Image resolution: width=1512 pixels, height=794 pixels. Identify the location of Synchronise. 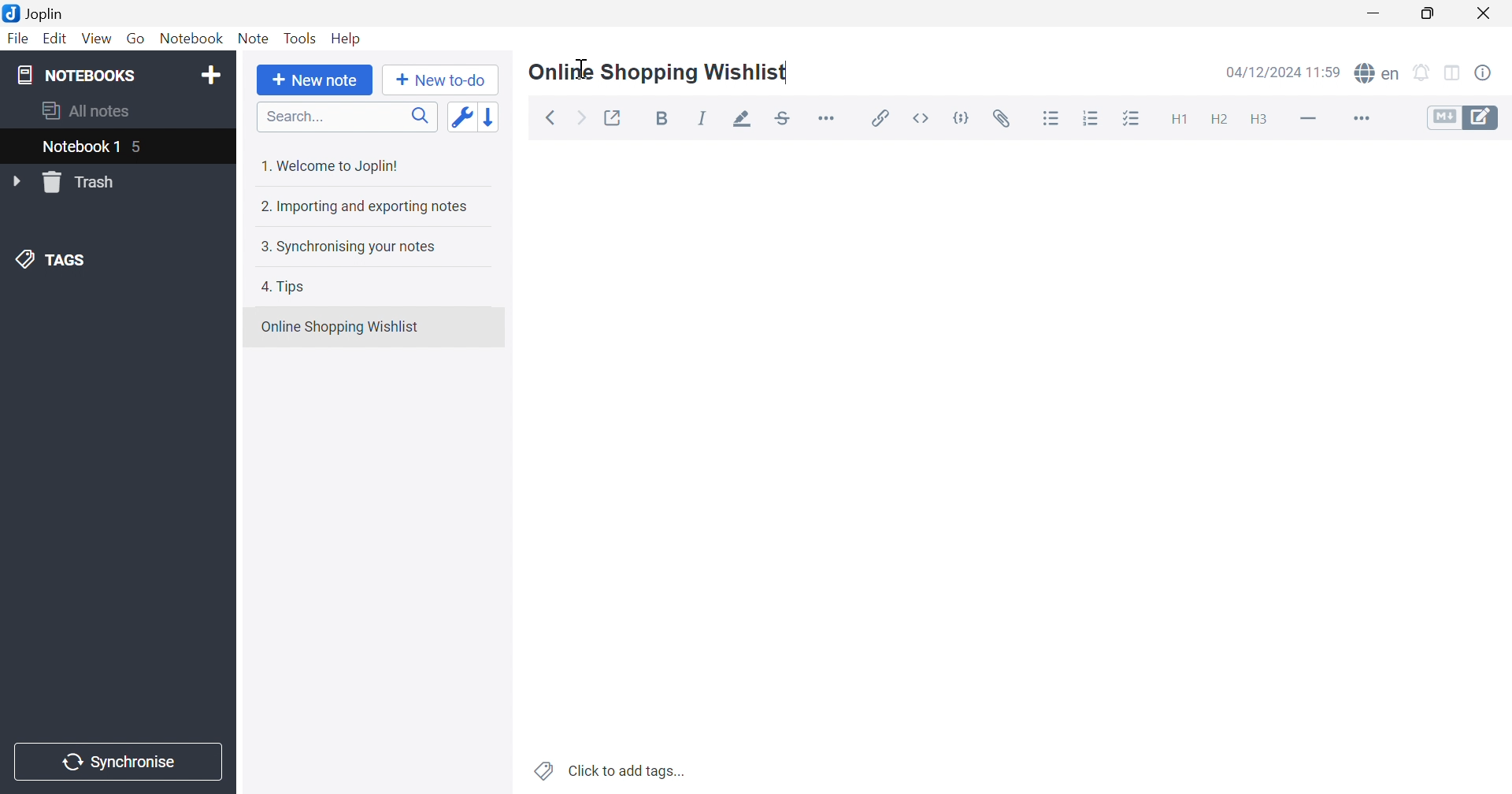
(117, 762).